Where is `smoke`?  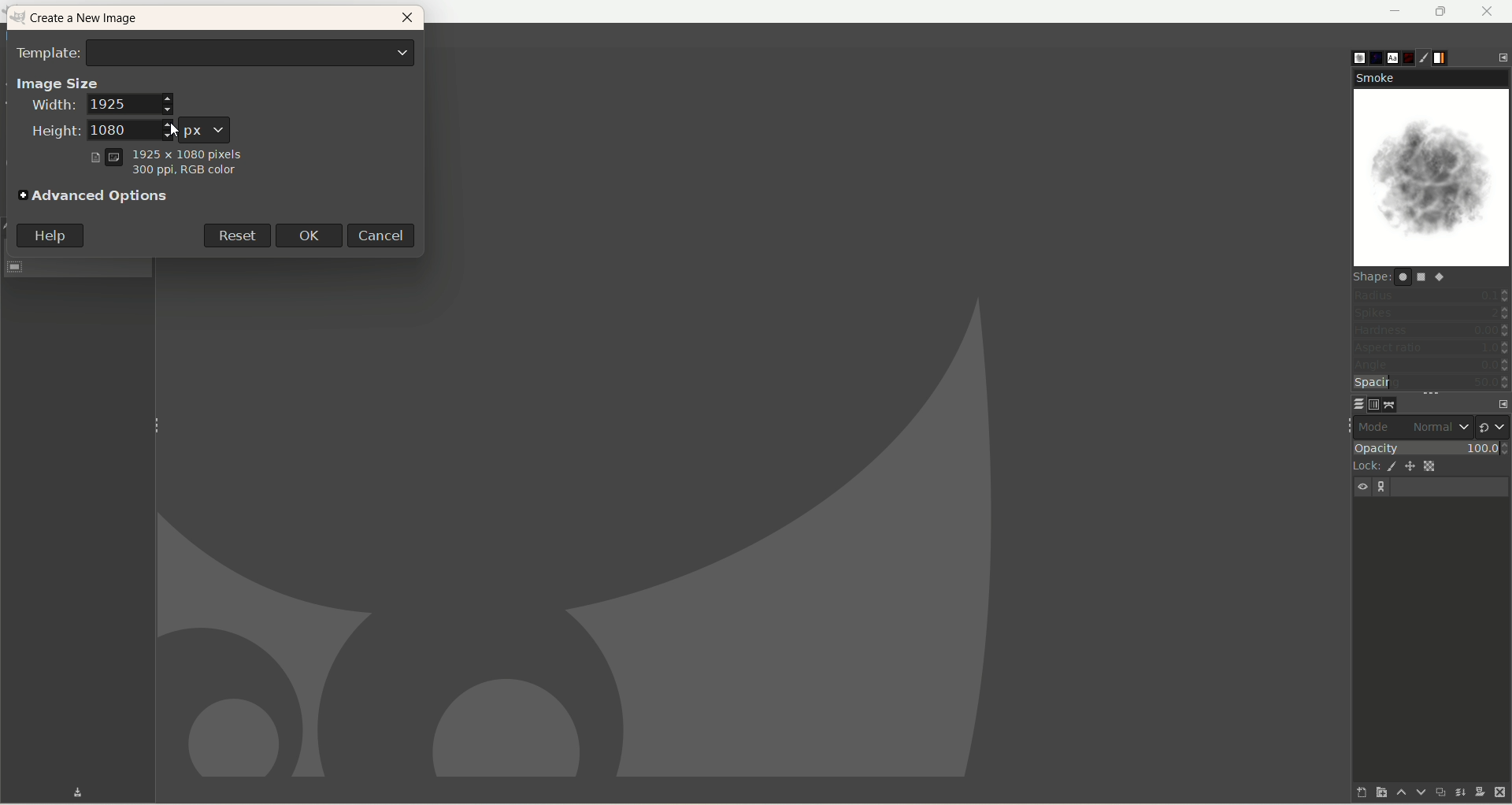
smoke is located at coordinates (1433, 169).